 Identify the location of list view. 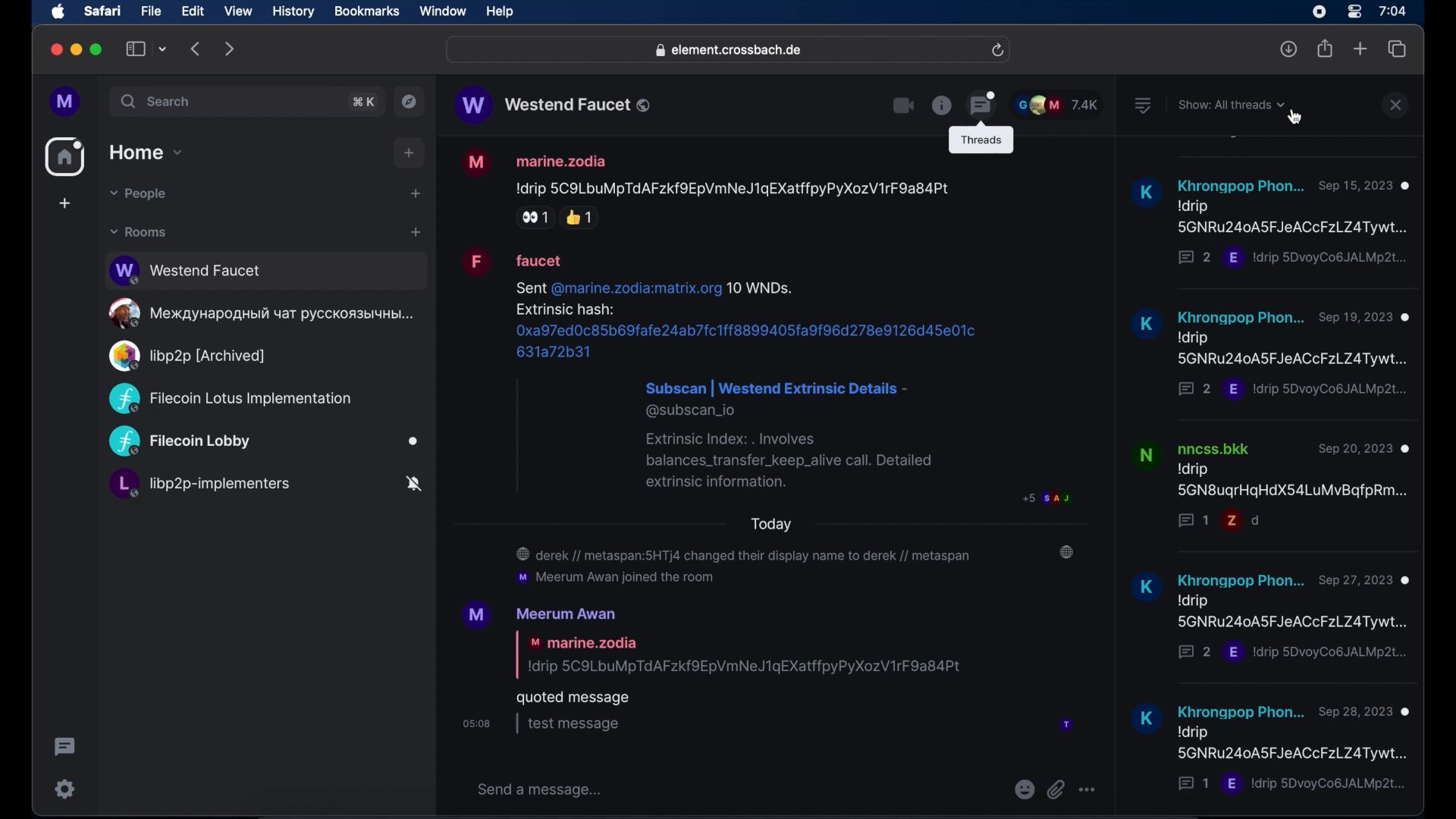
(1143, 105).